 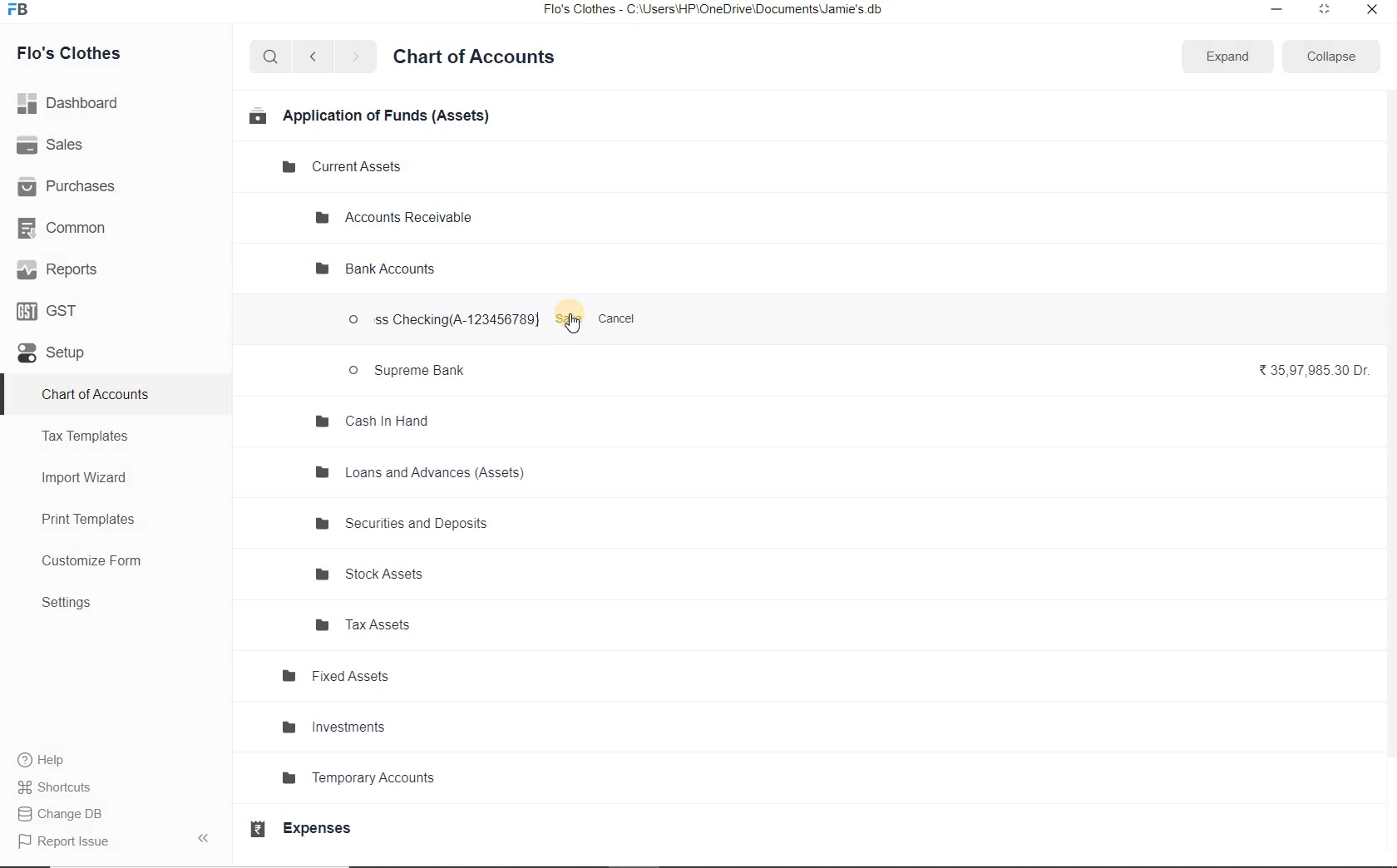 What do you see at coordinates (42, 760) in the screenshot?
I see `help` at bounding box center [42, 760].